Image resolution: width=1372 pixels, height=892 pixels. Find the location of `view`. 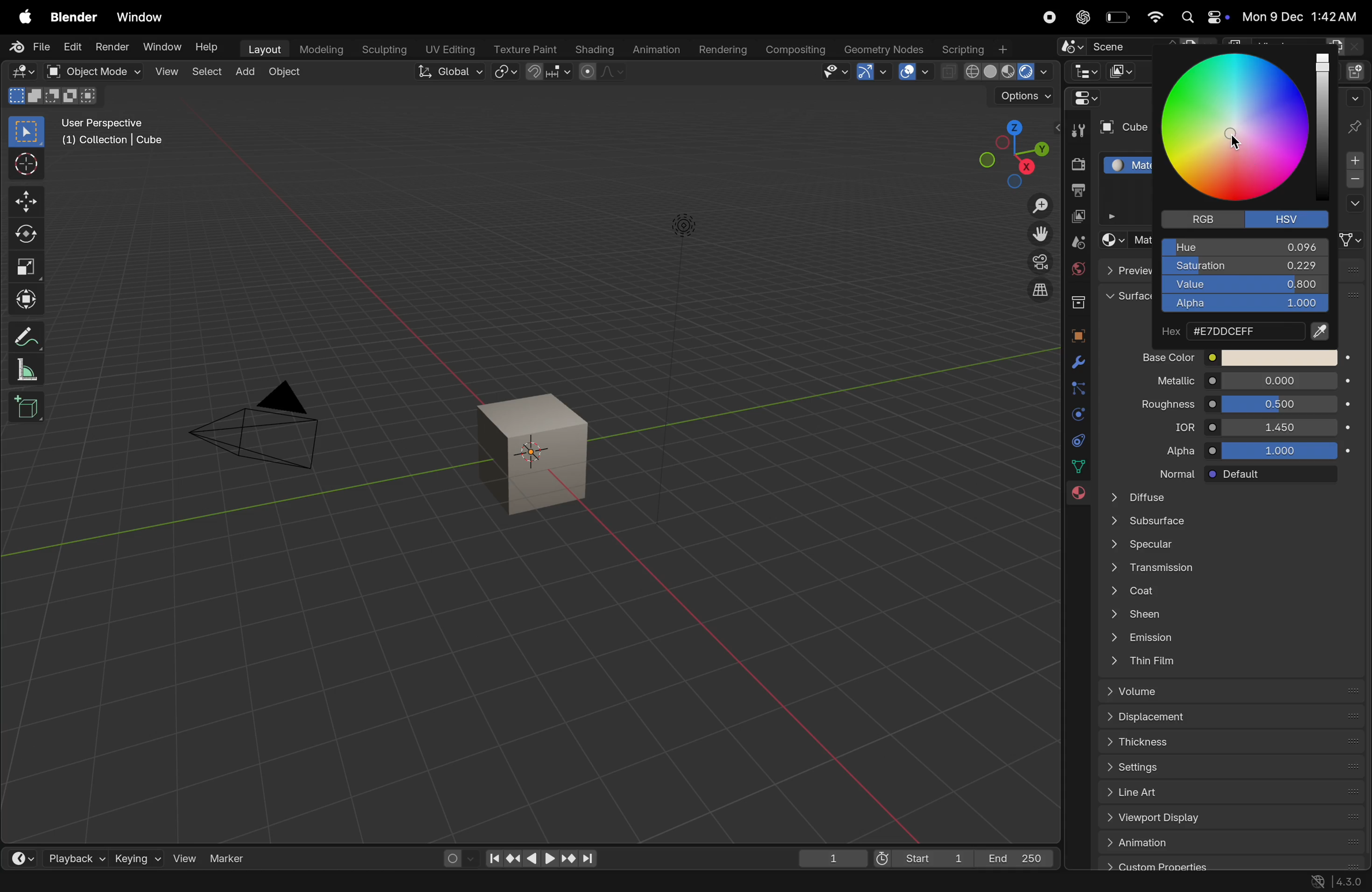

view is located at coordinates (178, 857).